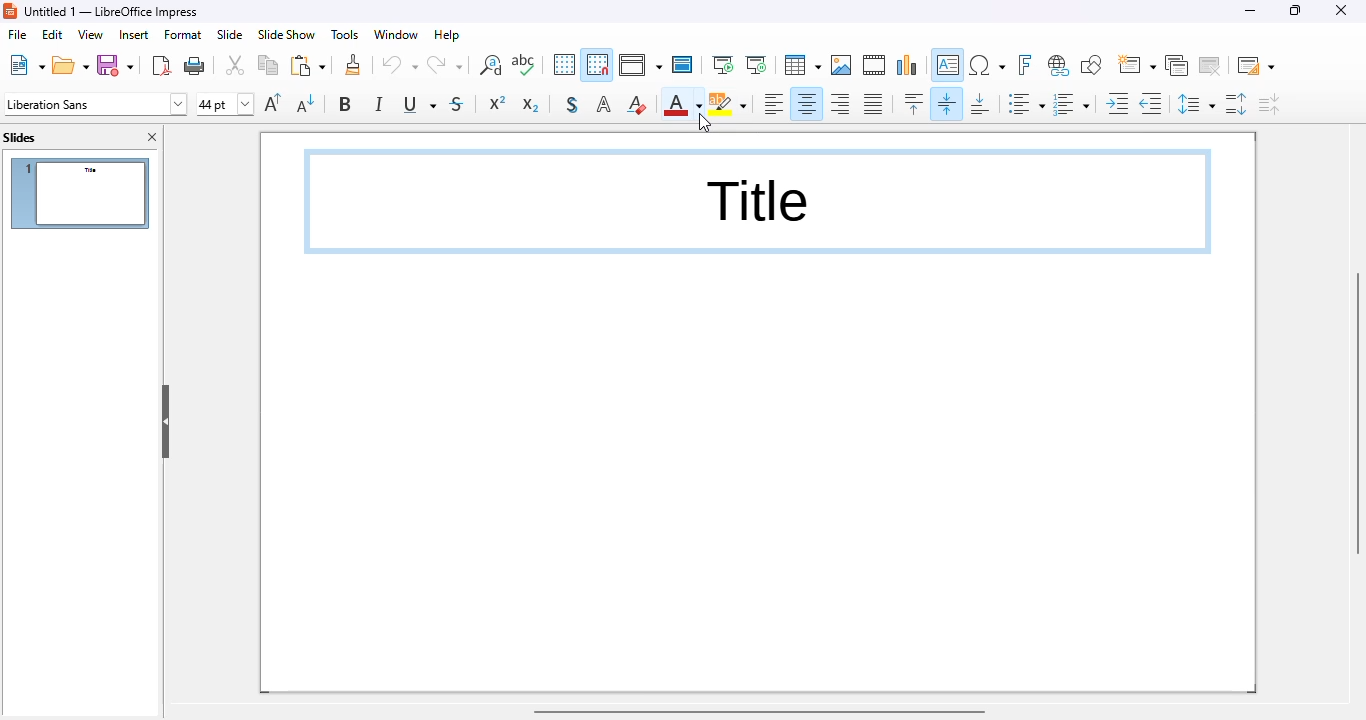  What do you see at coordinates (1236, 104) in the screenshot?
I see `increase paragraph spacing` at bounding box center [1236, 104].